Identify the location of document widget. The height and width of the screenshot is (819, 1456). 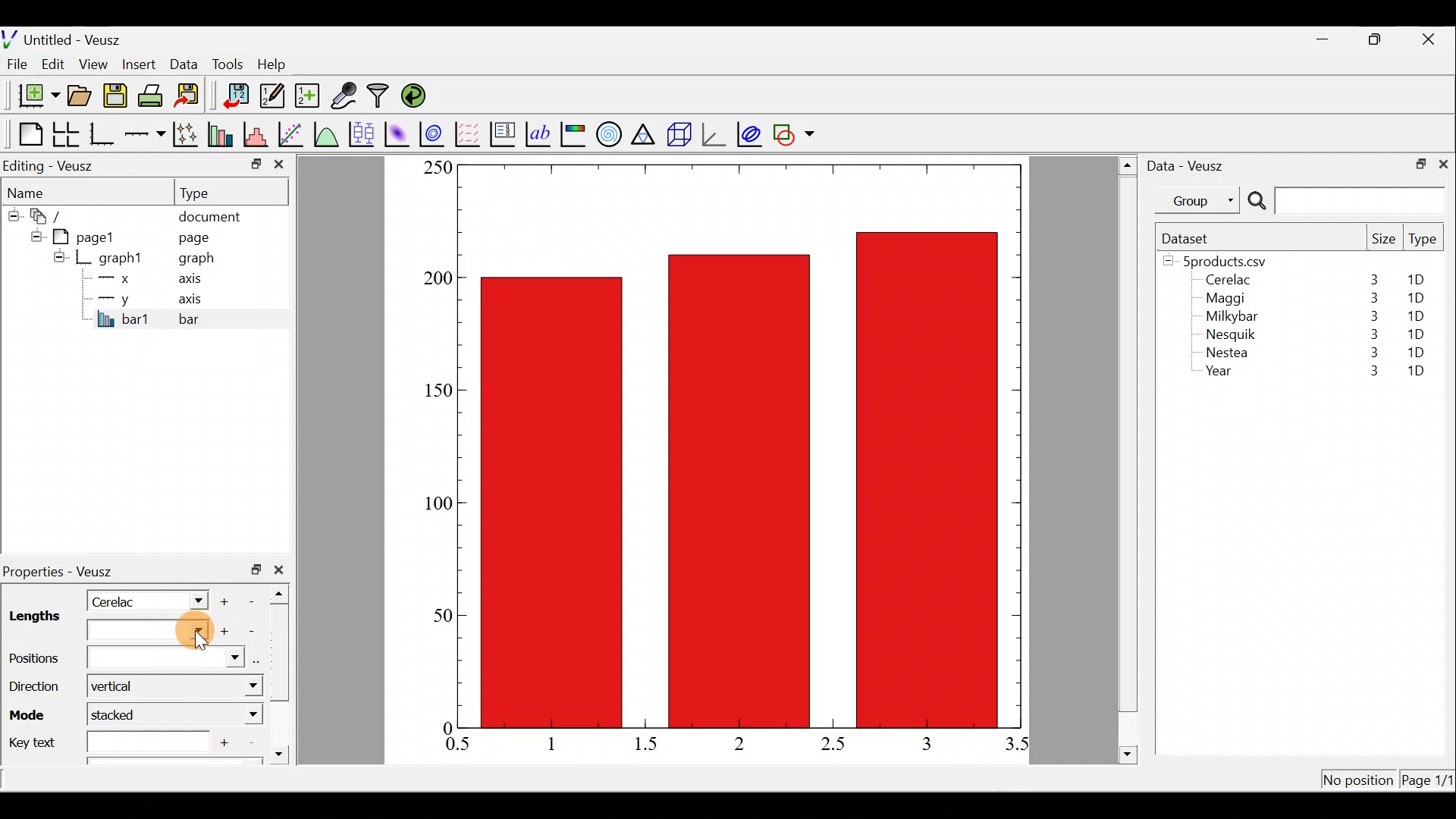
(54, 214).